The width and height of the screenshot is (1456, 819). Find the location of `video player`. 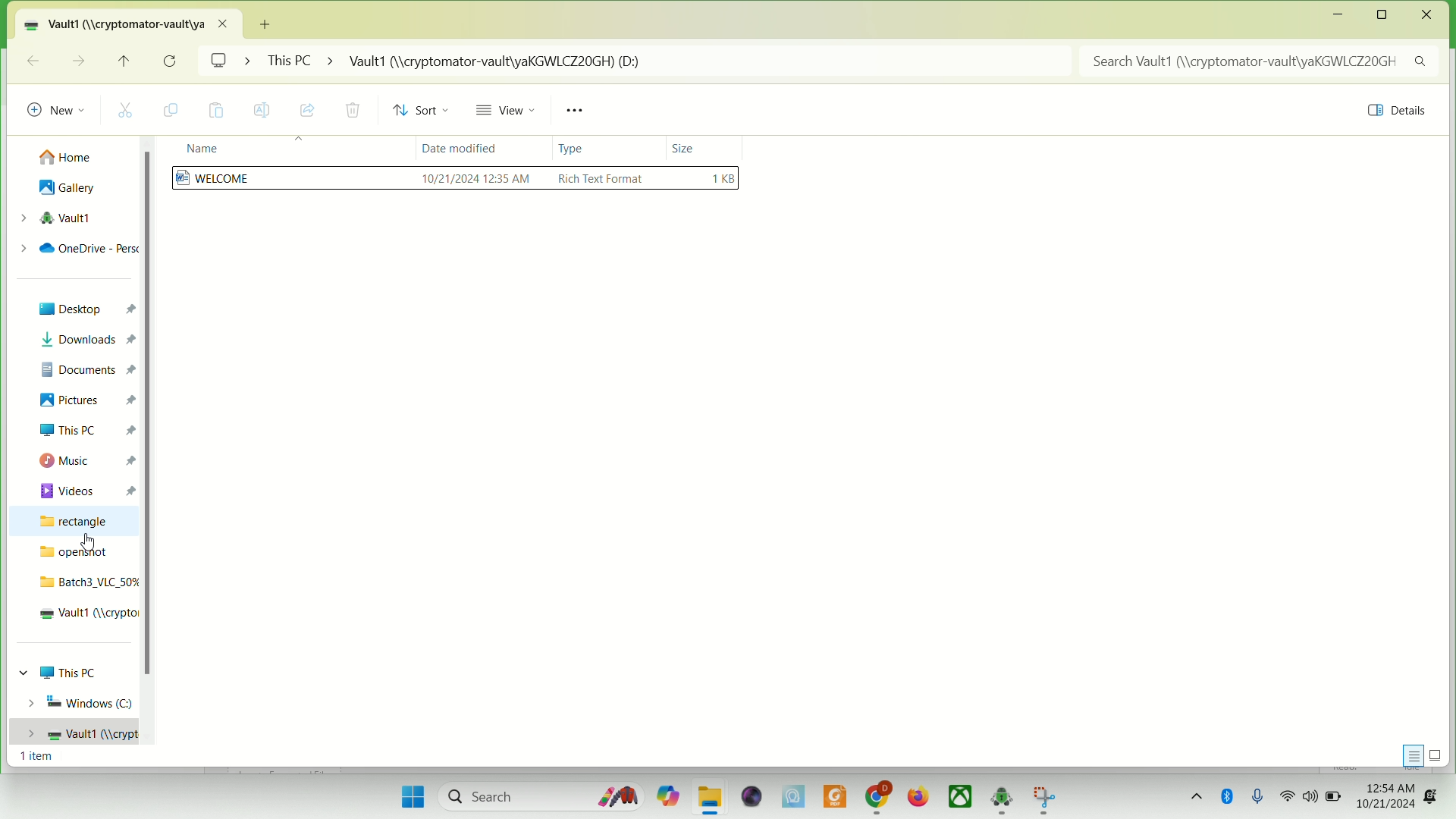

video player is located at coordinates (748, 795).